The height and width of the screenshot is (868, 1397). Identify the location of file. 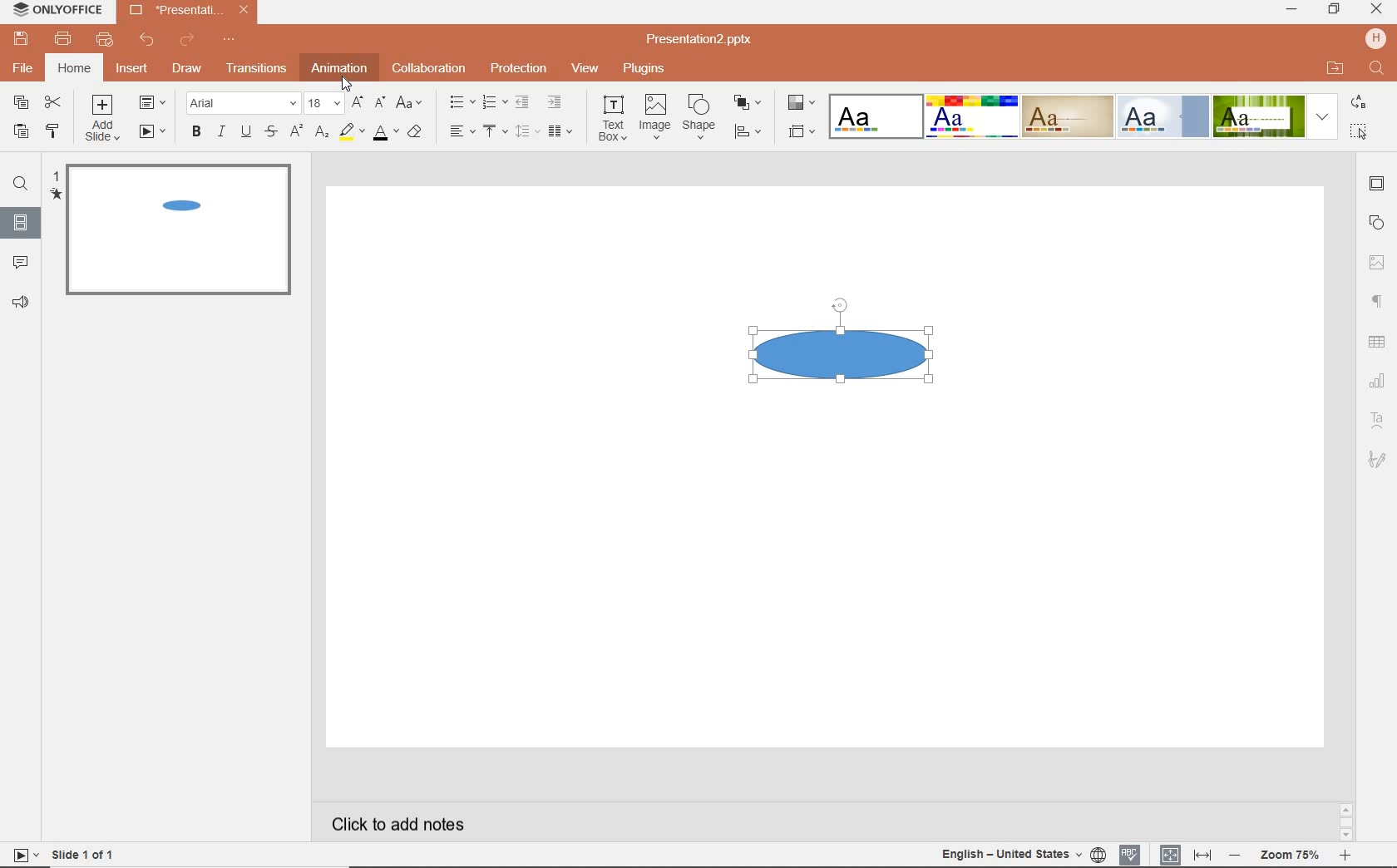
(23, 70).